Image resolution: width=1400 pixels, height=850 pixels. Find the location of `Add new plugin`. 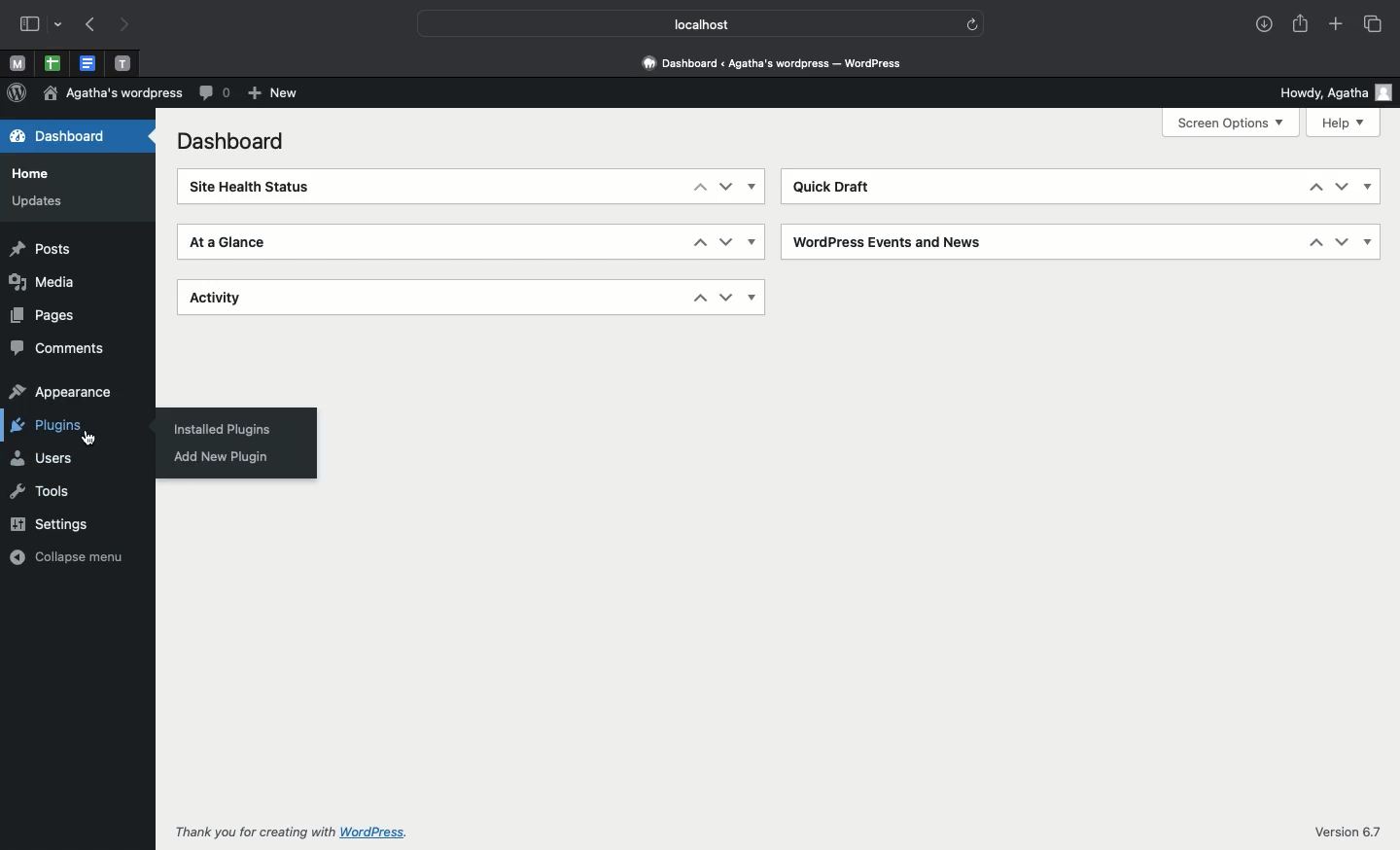

Add new plugin is located at coordinates (231, 457).